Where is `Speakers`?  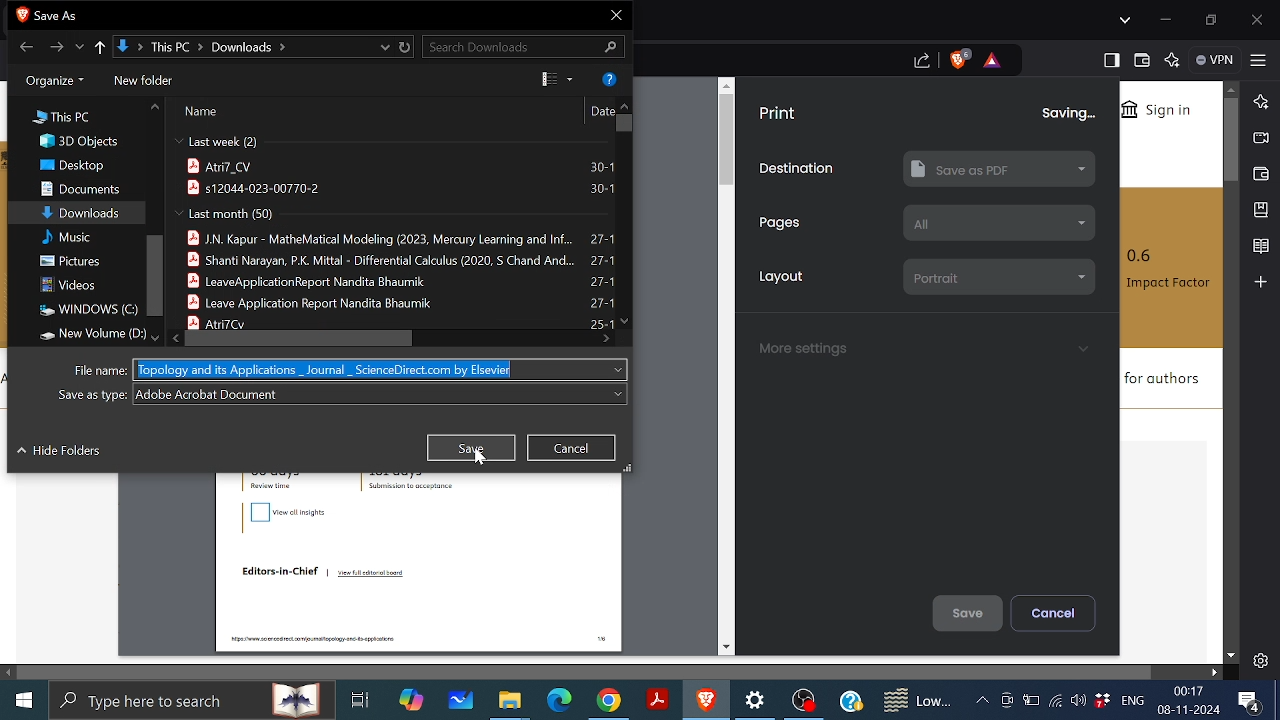 Speakers is located at coordinates (1076, 700).